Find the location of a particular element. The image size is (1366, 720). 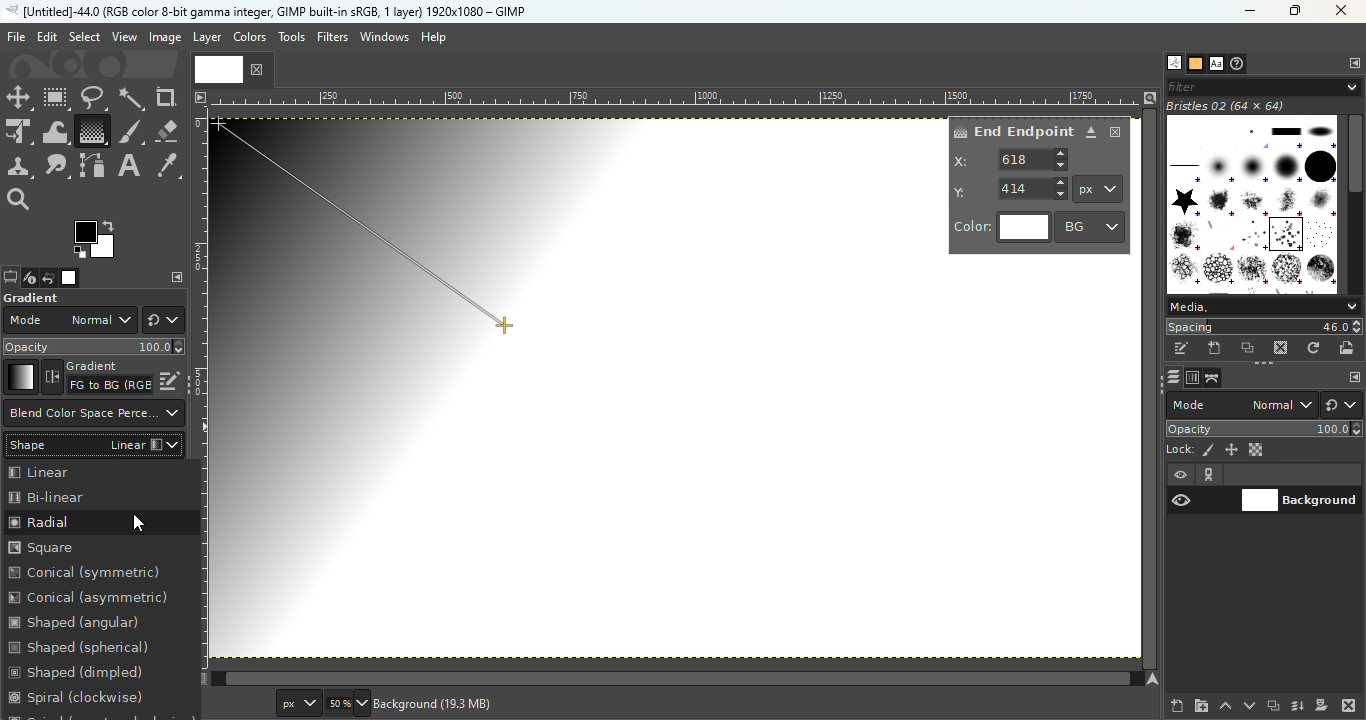

Gradient tool is located at coordinates (91, 131).